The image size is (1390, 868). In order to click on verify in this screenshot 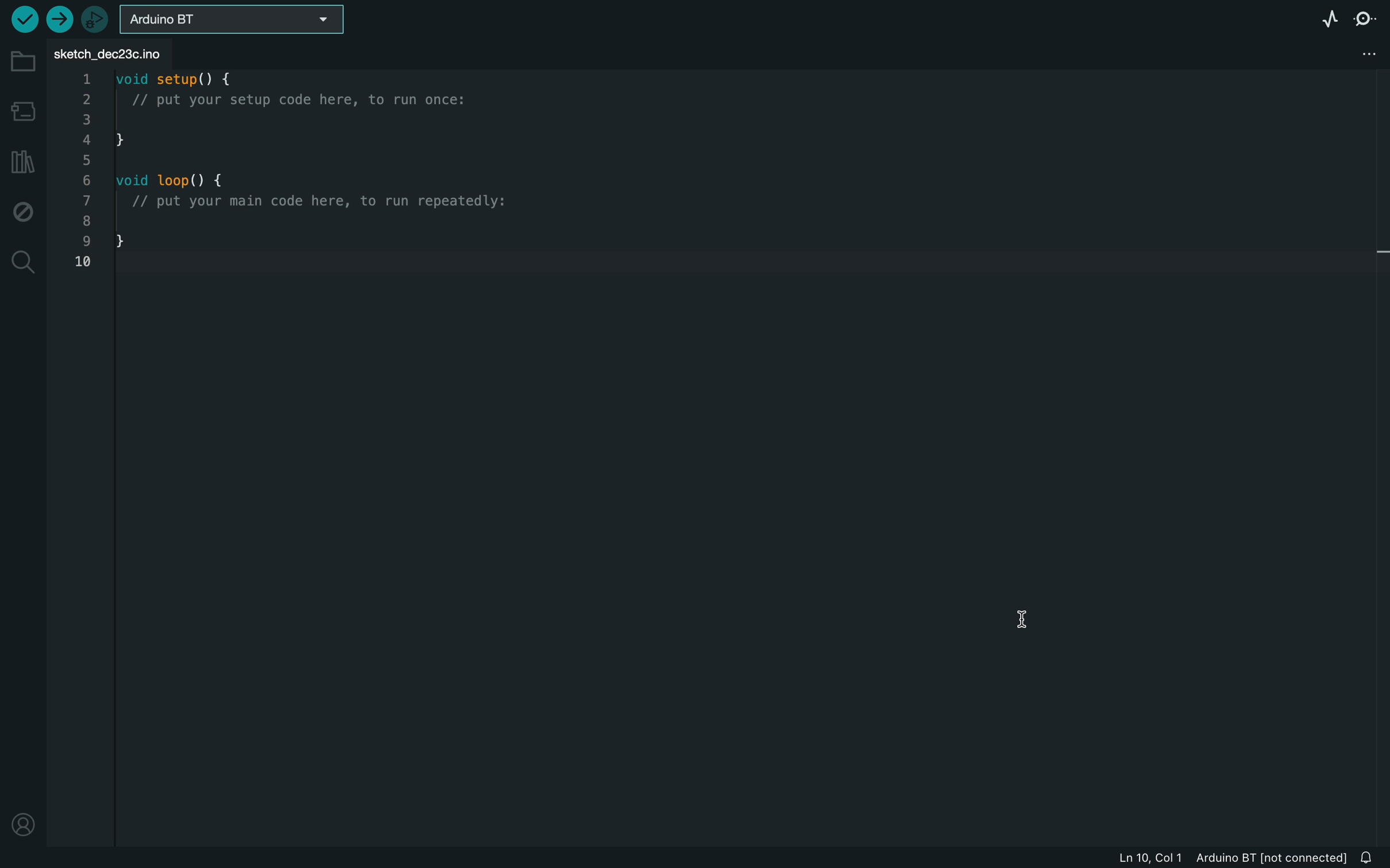, I will do `click(20, 18)`.